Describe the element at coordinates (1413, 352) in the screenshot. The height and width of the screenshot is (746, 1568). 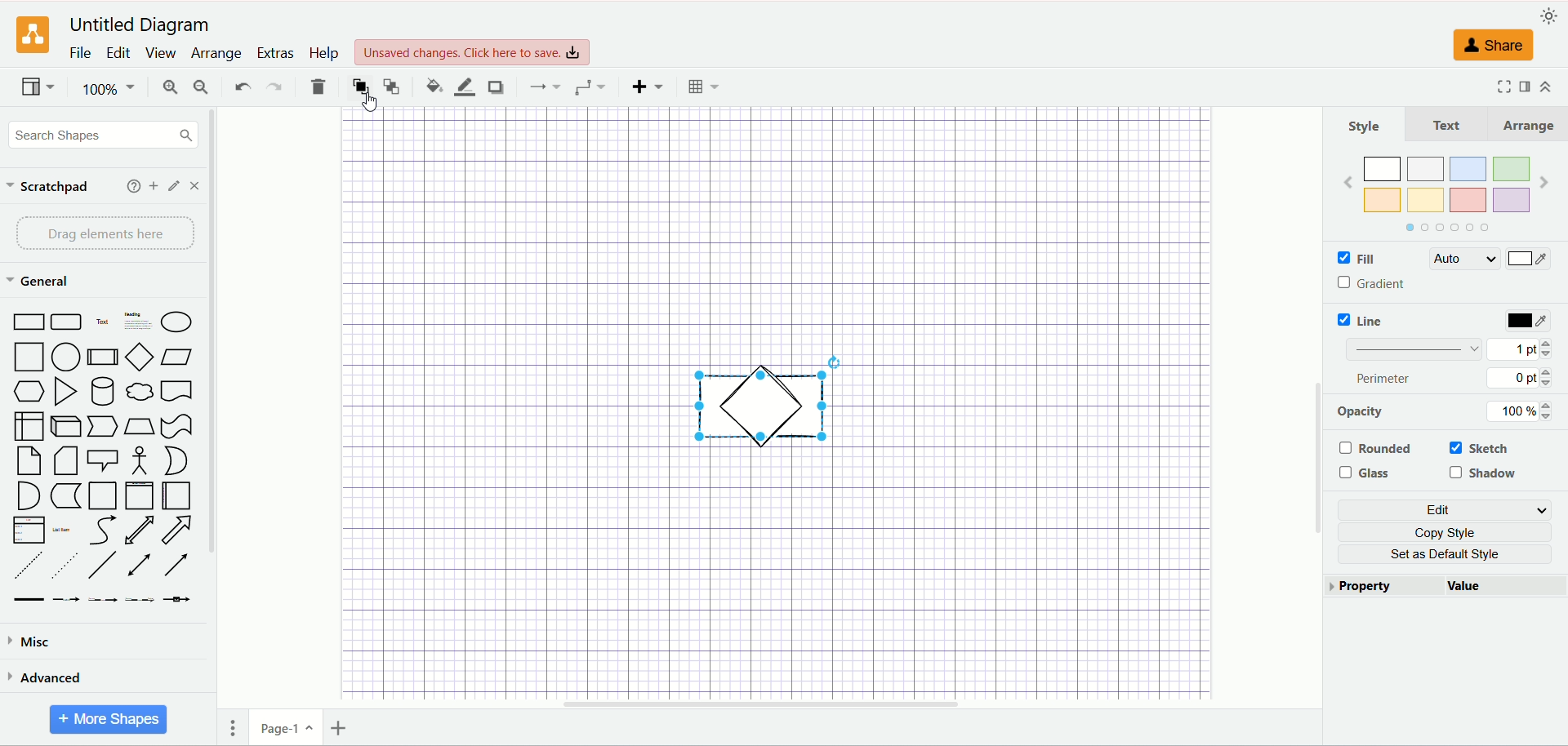
I see `line thickness` at that location.